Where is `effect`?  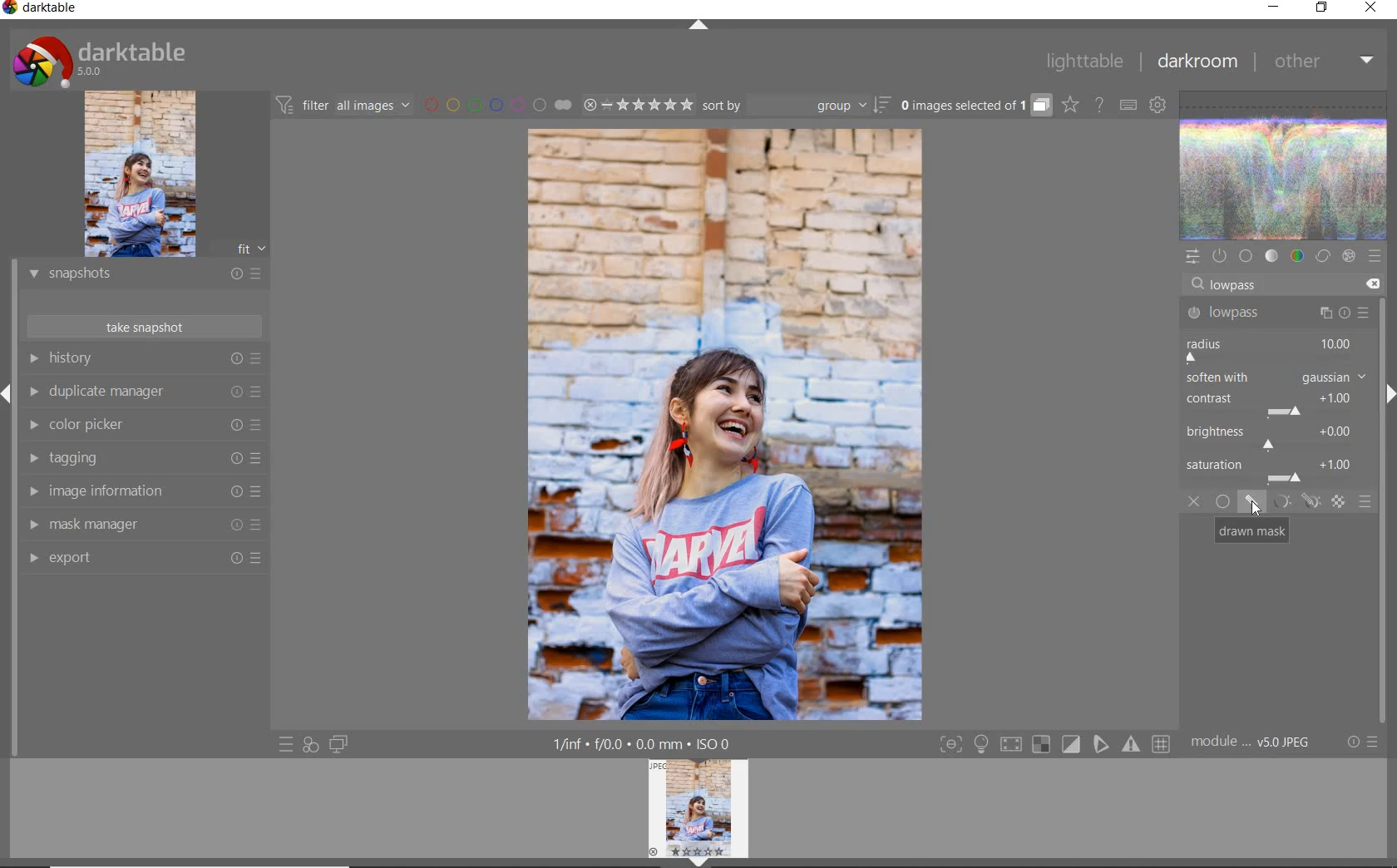 effect is located at coordinates (1346, 257).